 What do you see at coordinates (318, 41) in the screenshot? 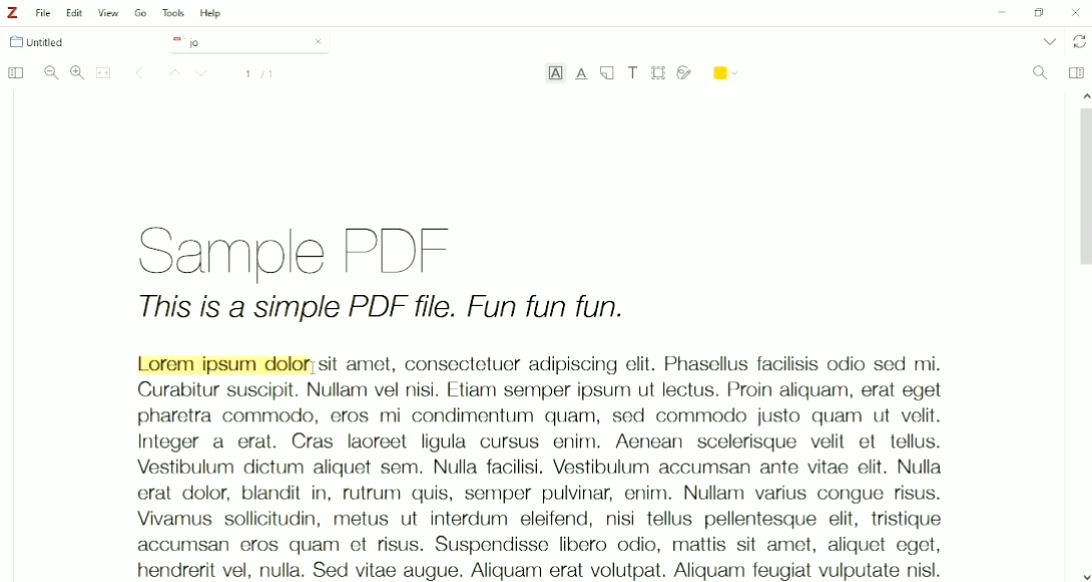
I see `Close` at bounding box center [318, 41].